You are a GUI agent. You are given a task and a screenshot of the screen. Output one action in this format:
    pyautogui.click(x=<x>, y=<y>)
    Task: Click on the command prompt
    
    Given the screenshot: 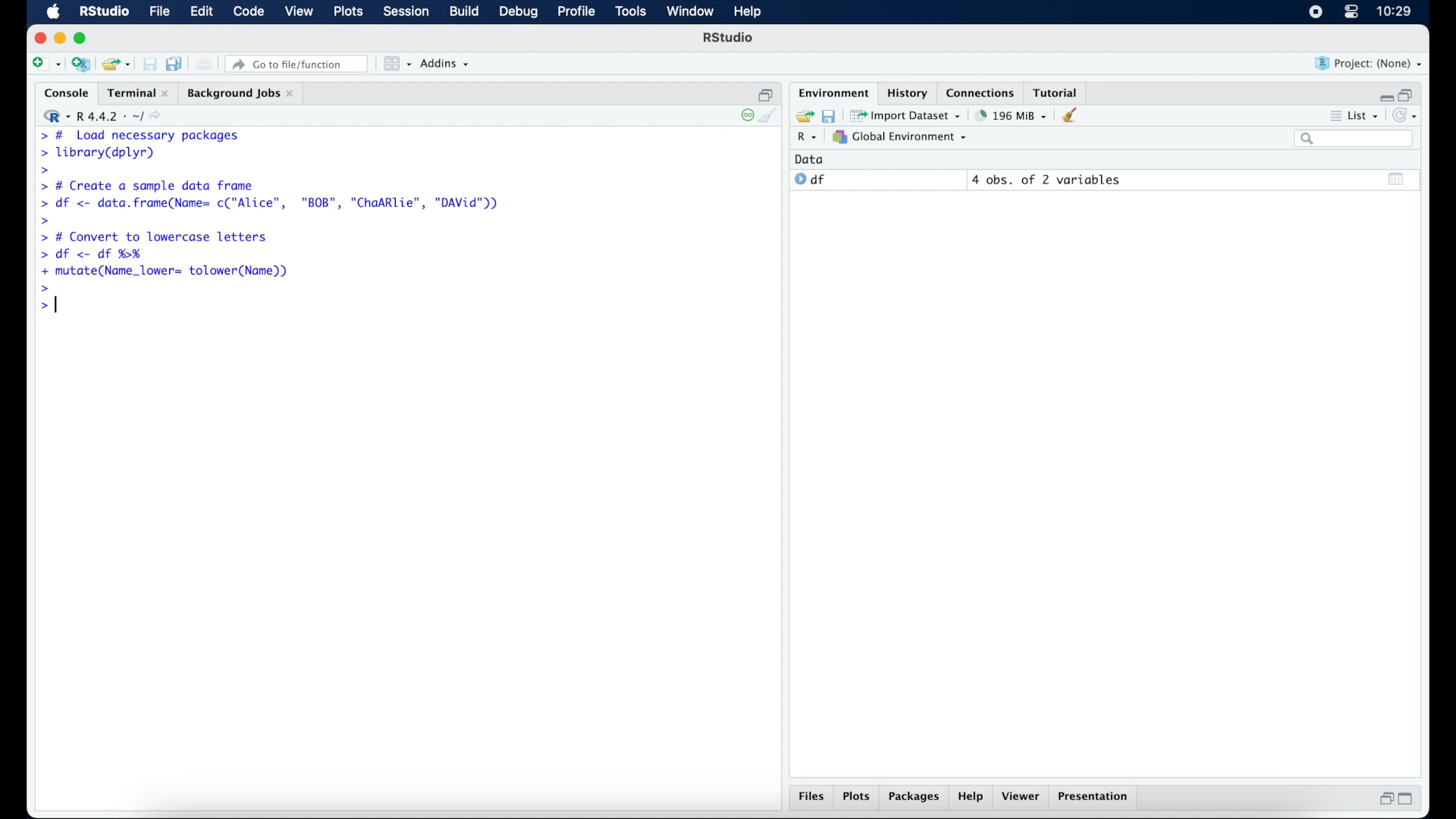 What is the action you would take?
    pyautogui.click(x=45, y=306)
    